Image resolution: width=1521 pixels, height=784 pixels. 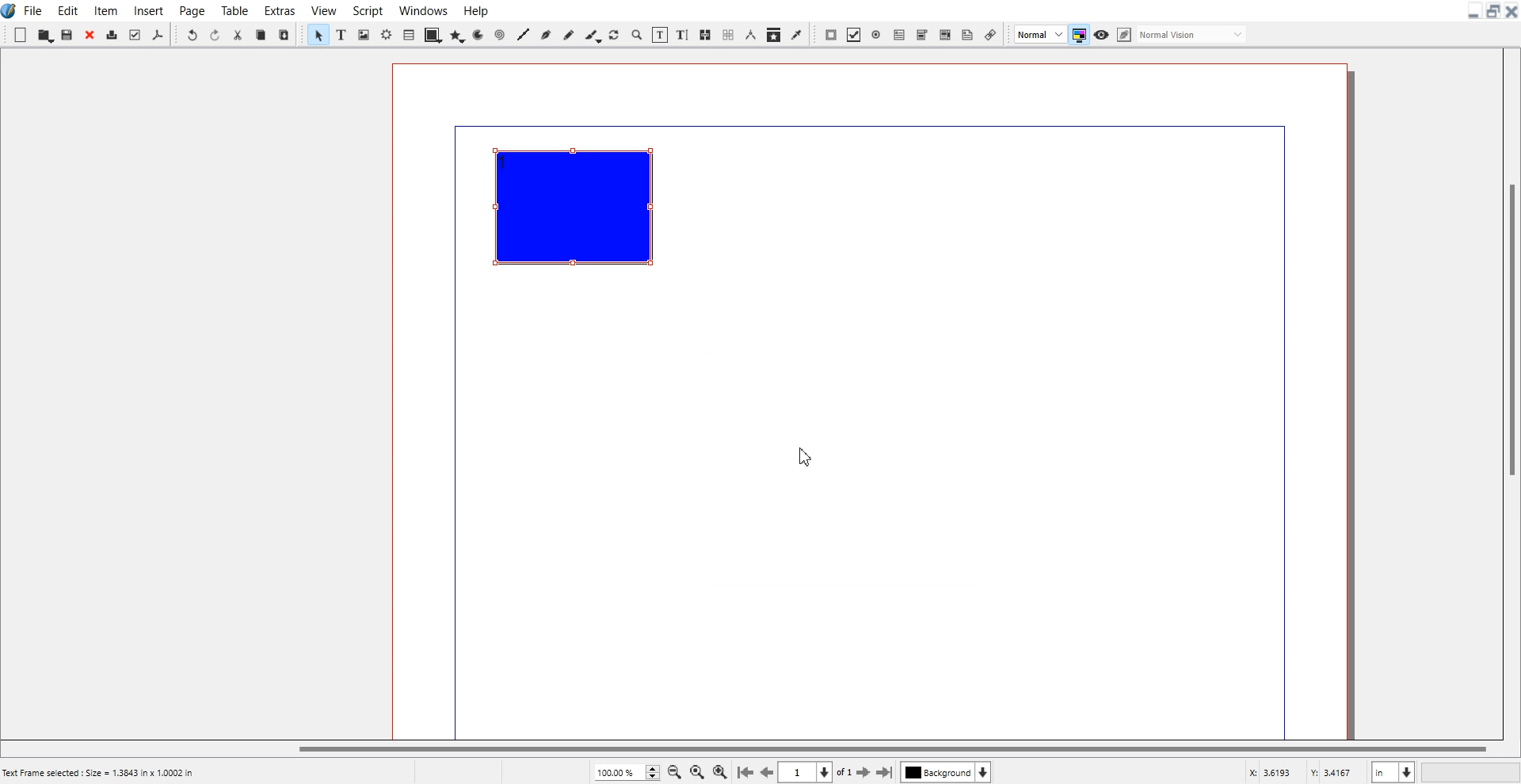 I want to click on PDF Check Box, so click(x=855, y=35).